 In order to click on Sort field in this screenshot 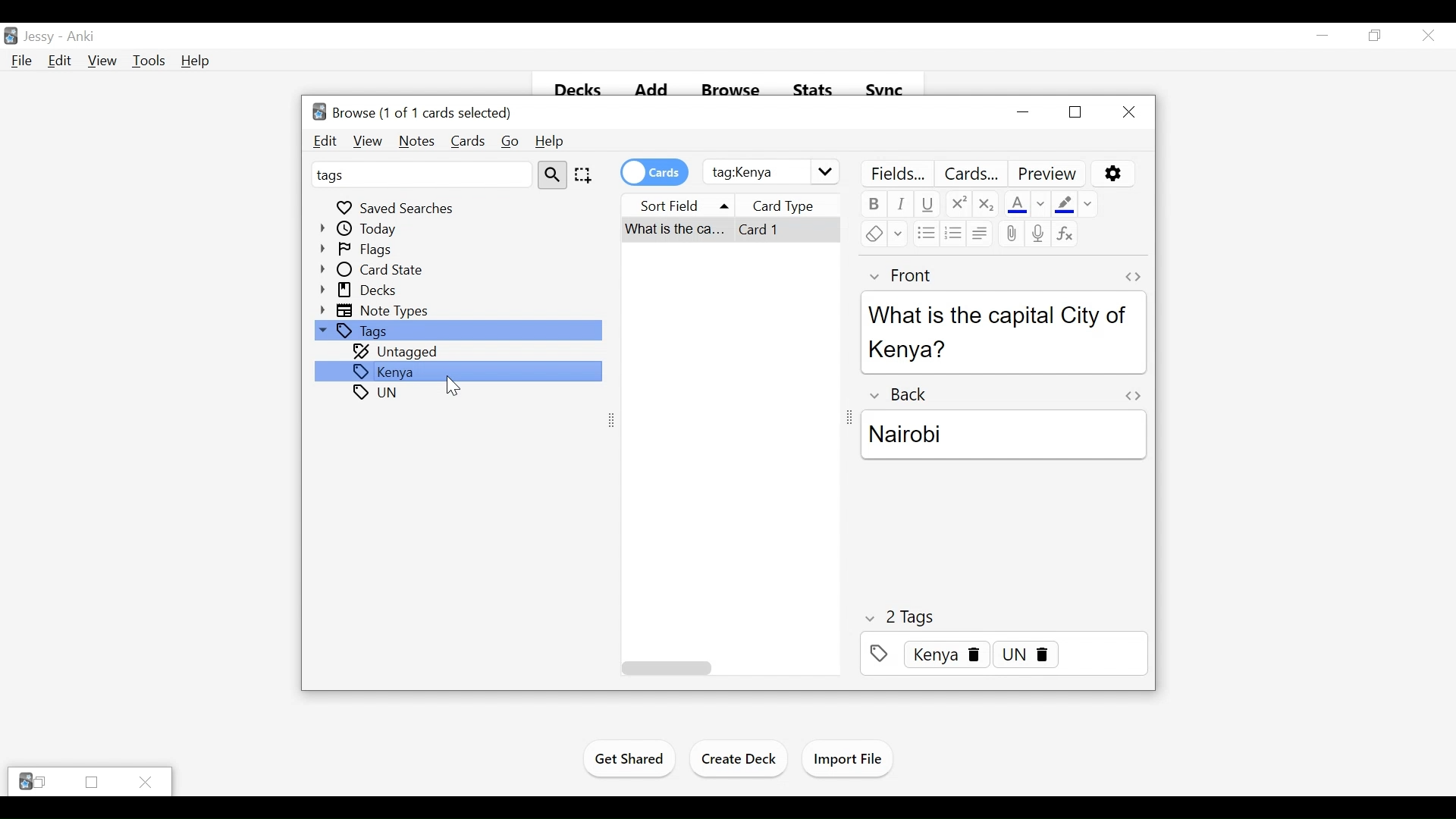, I will do `click(681, 203)`.